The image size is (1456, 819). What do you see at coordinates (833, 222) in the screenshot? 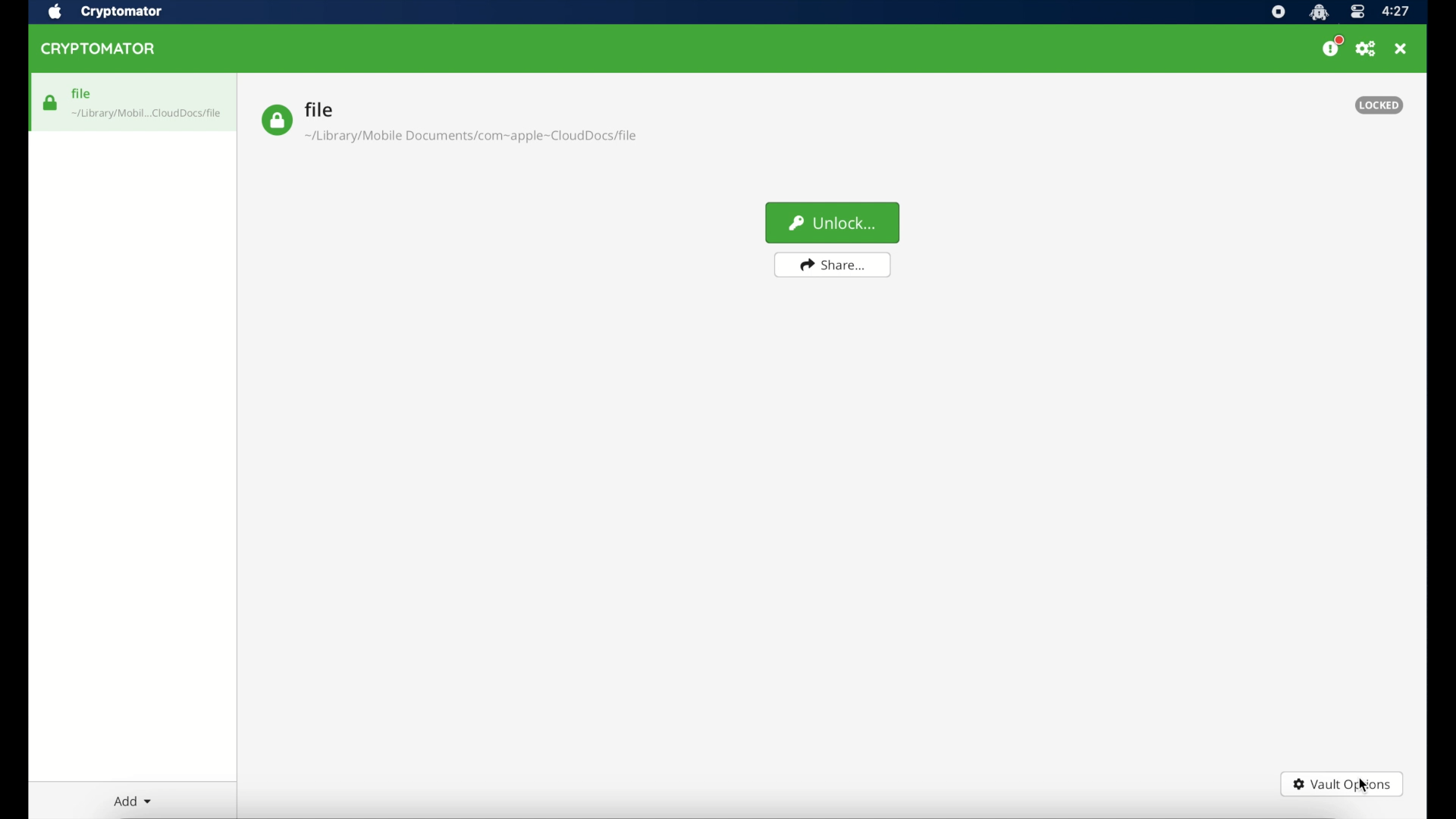
I see `unlock` at bounding box center [833, 222].